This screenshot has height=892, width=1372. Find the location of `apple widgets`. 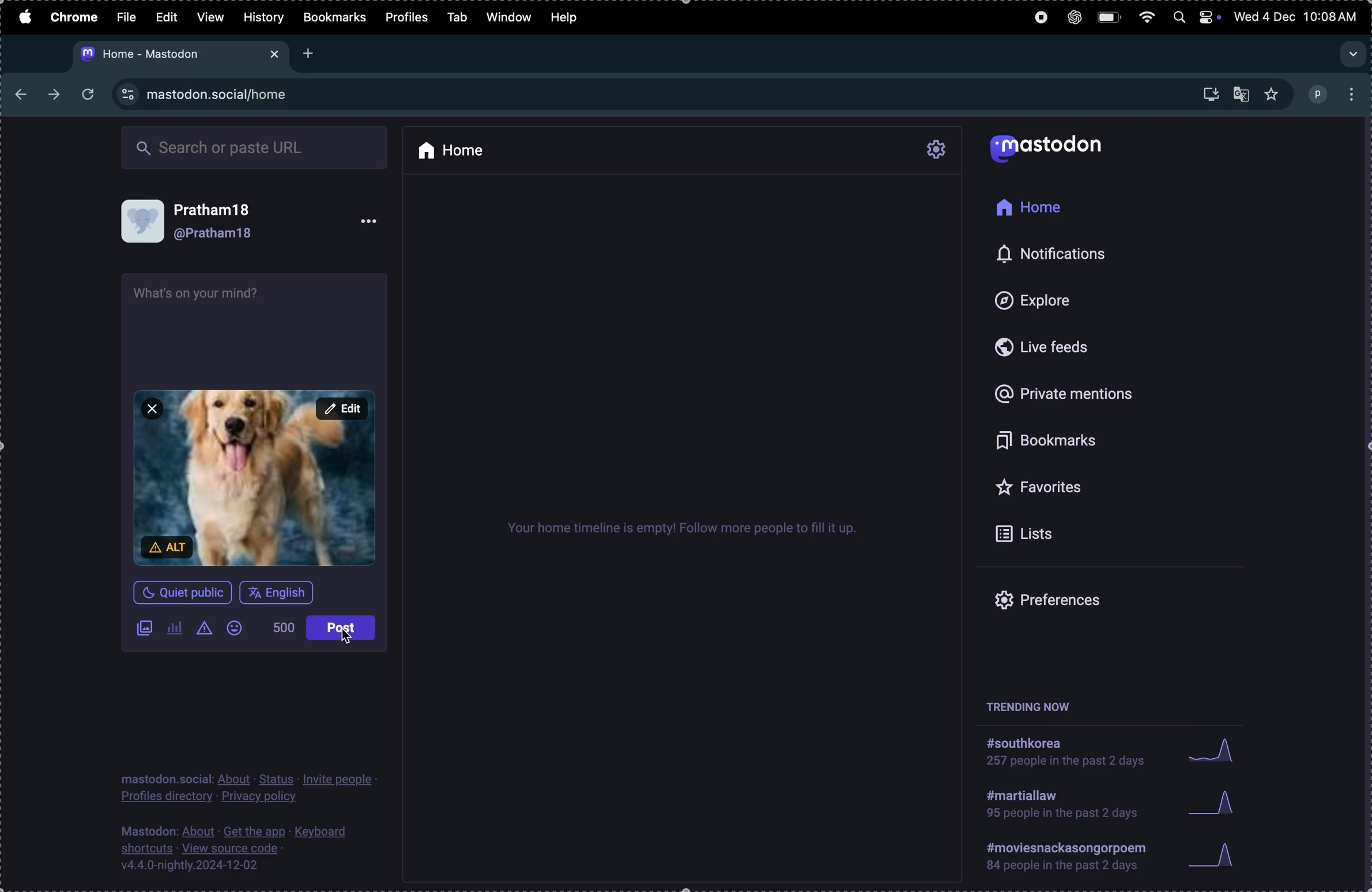

apple widgets is located at coordinates (1195, 16).